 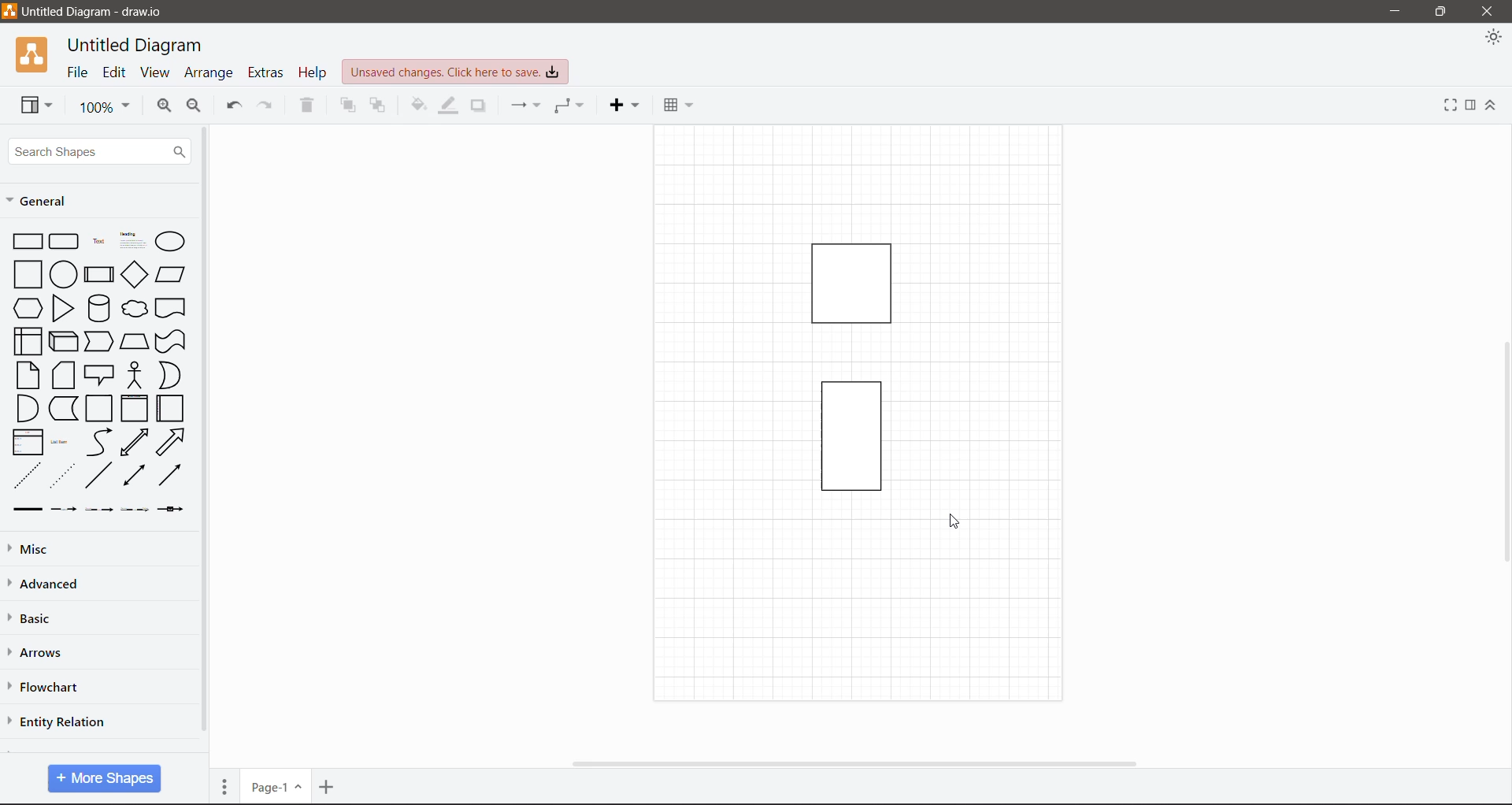 What do you see at coordinates (1441, 12) in the screenshot?
I see `Restore Down` at bounding box center [1441, 12].